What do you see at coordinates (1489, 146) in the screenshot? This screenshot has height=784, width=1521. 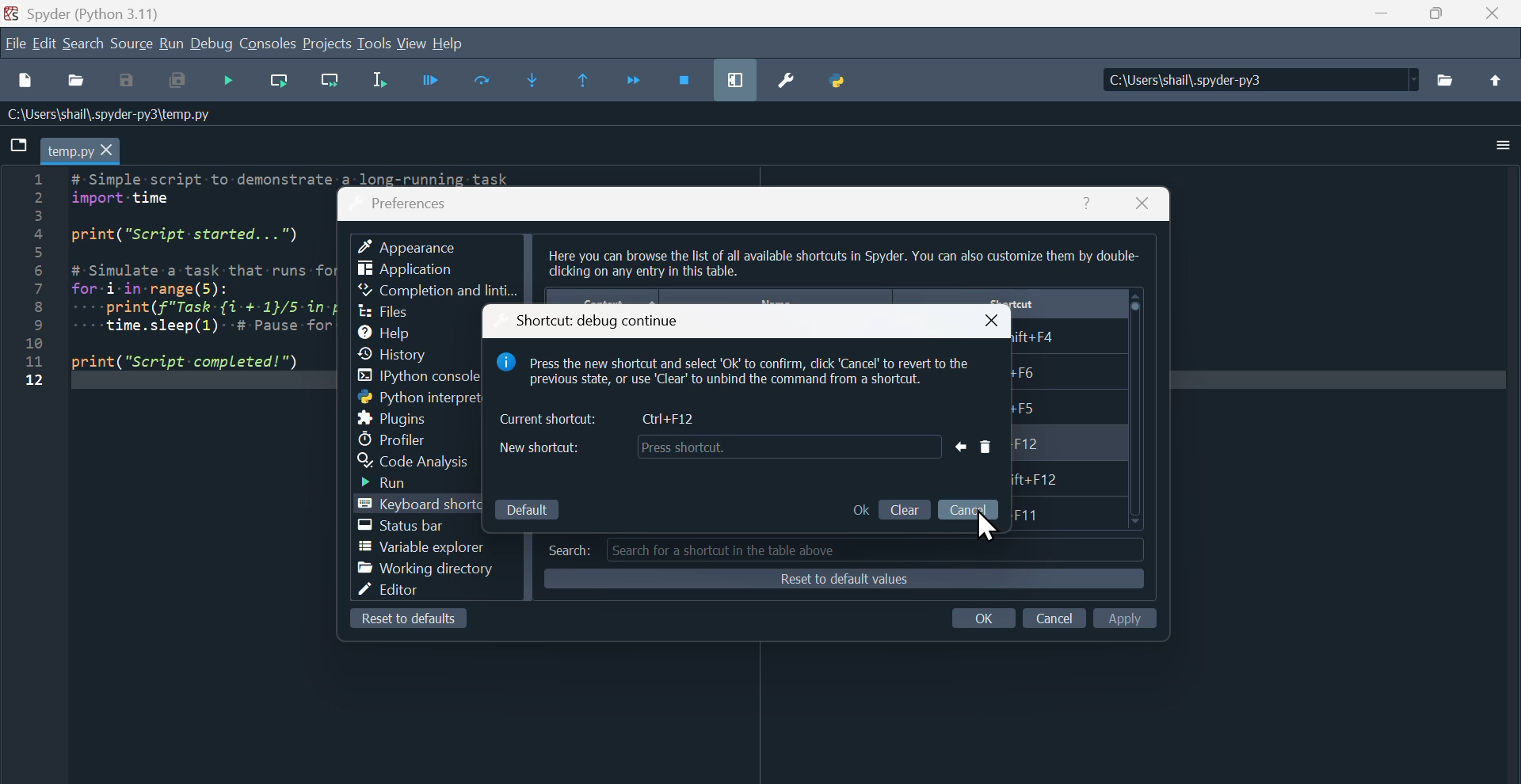 I see `More options` at bounding box center [1489, 146].